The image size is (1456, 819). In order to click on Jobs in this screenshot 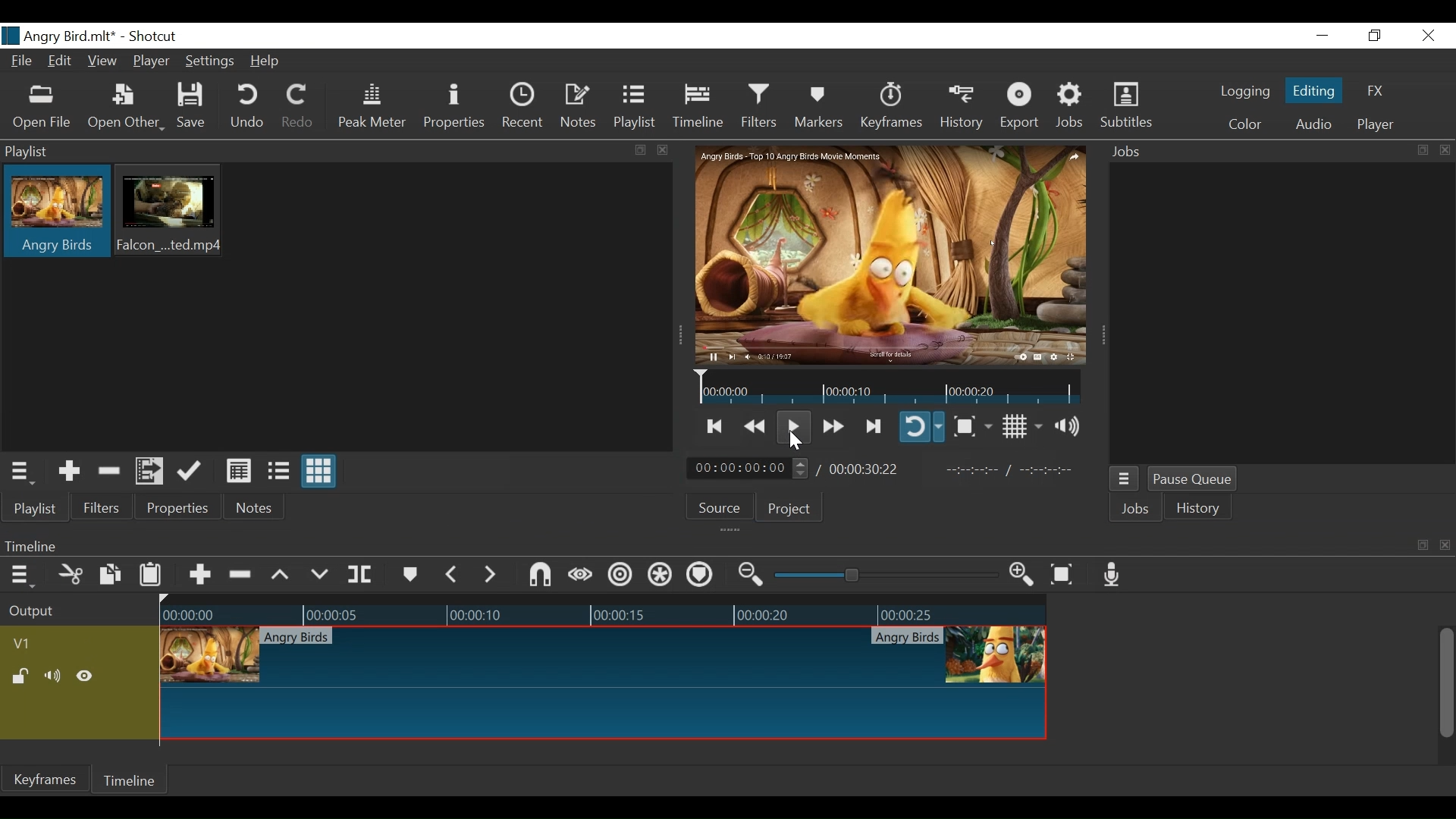, I will do `click(1072, 108)`.